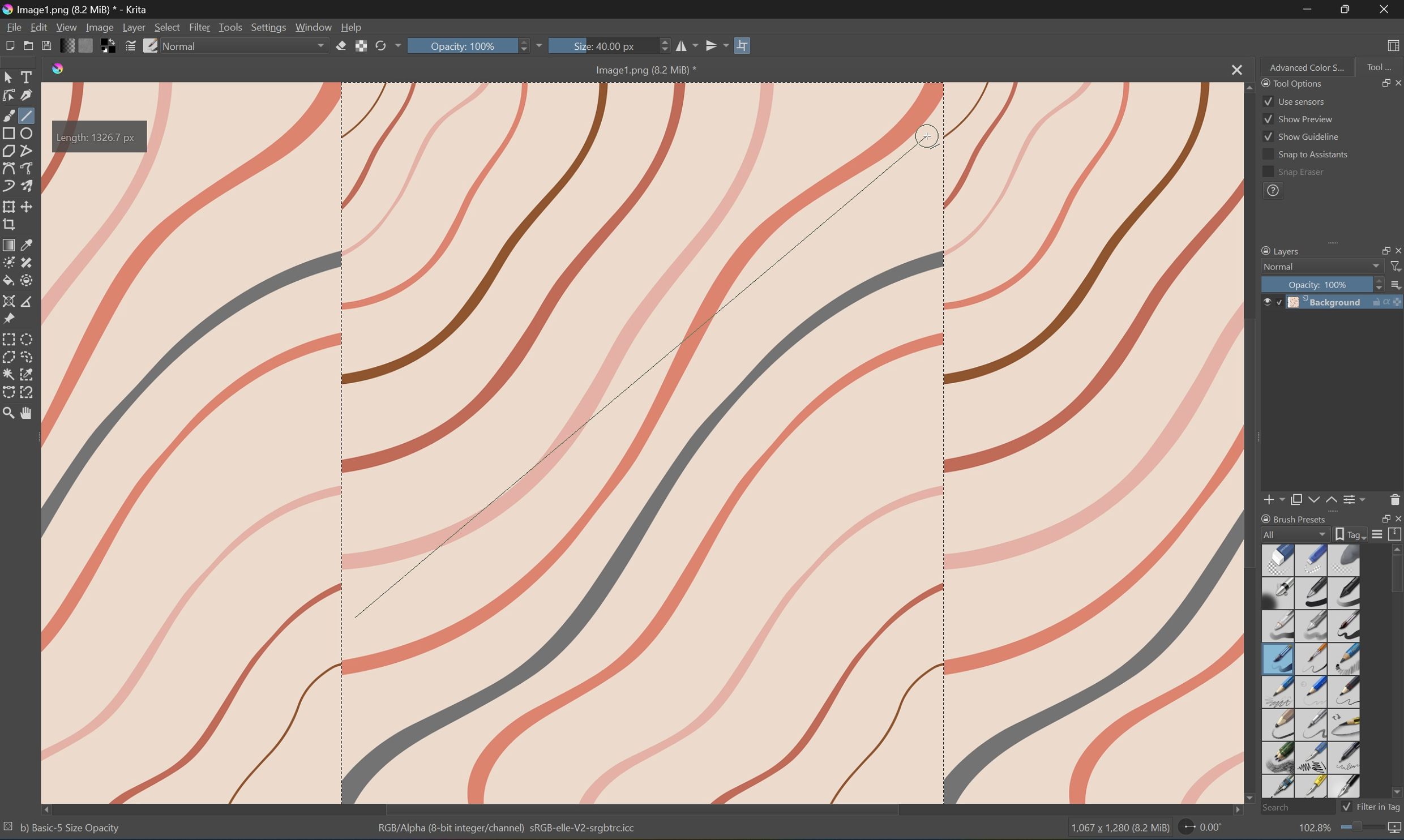  Describe the element at coordinates (1396, 518) in the screenshot. I see `Close` at that location.